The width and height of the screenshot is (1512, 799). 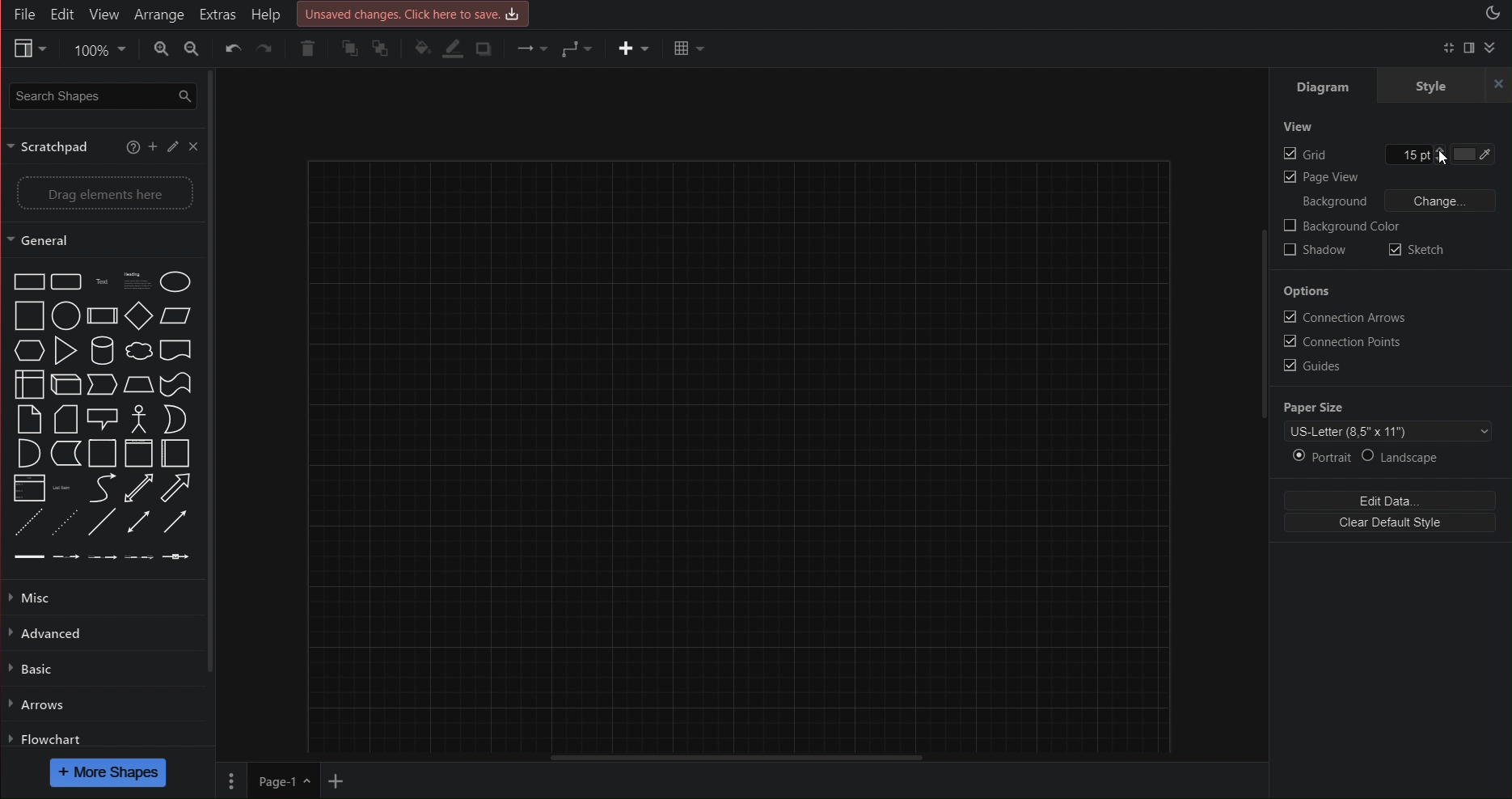 What do you see at coordinates (65, 519) in the screenshot?
I see `dense dotted` at bounding box center [65, 519].